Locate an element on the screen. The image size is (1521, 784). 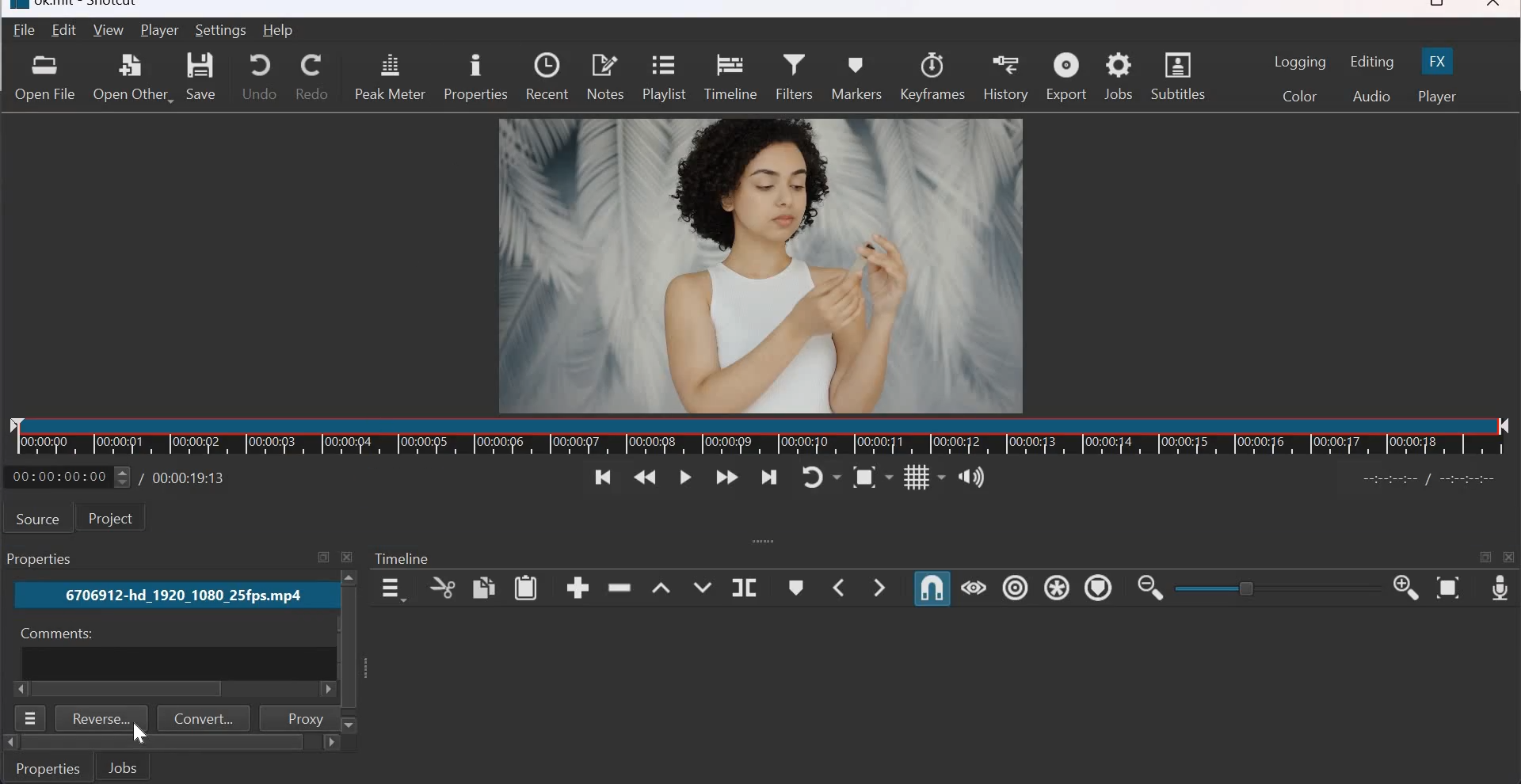
current position is located at coordinates (68, 477).